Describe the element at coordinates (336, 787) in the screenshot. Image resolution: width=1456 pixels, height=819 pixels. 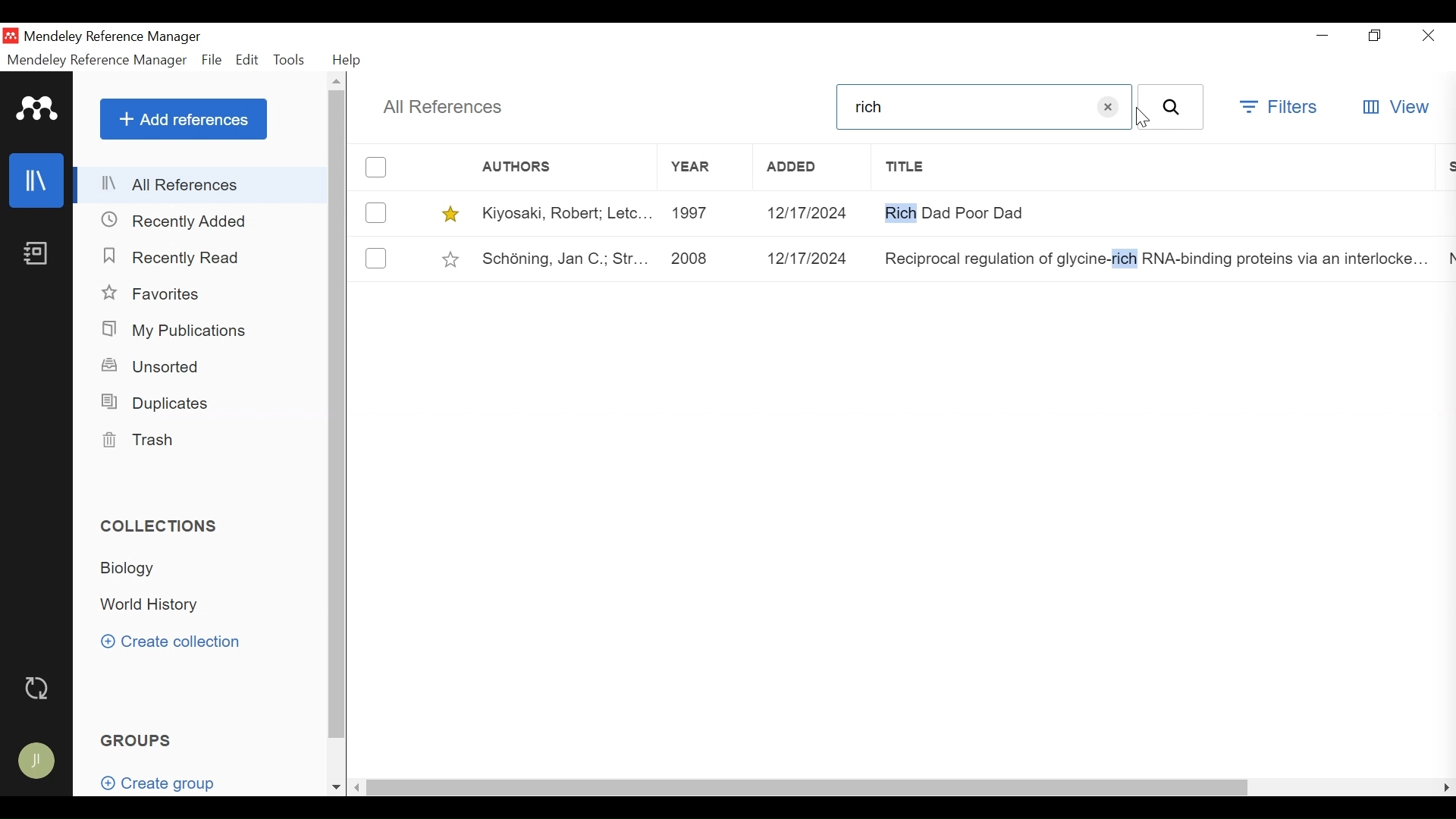
I see `Scroll down` at that location.